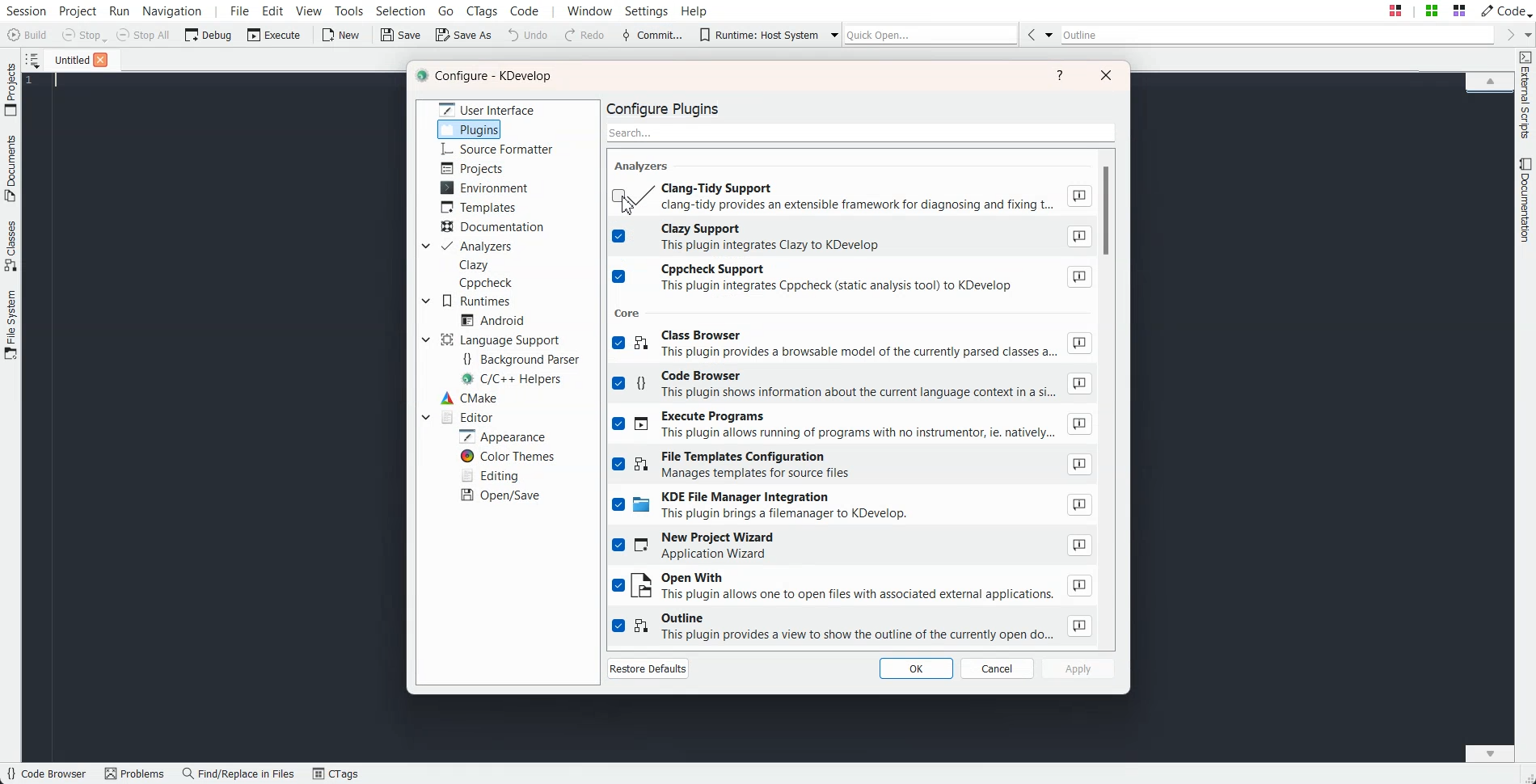  What do you see at coordinates (1278, 35) in the screenshot?
I see `Outline` at bounding box center [1278, 35].